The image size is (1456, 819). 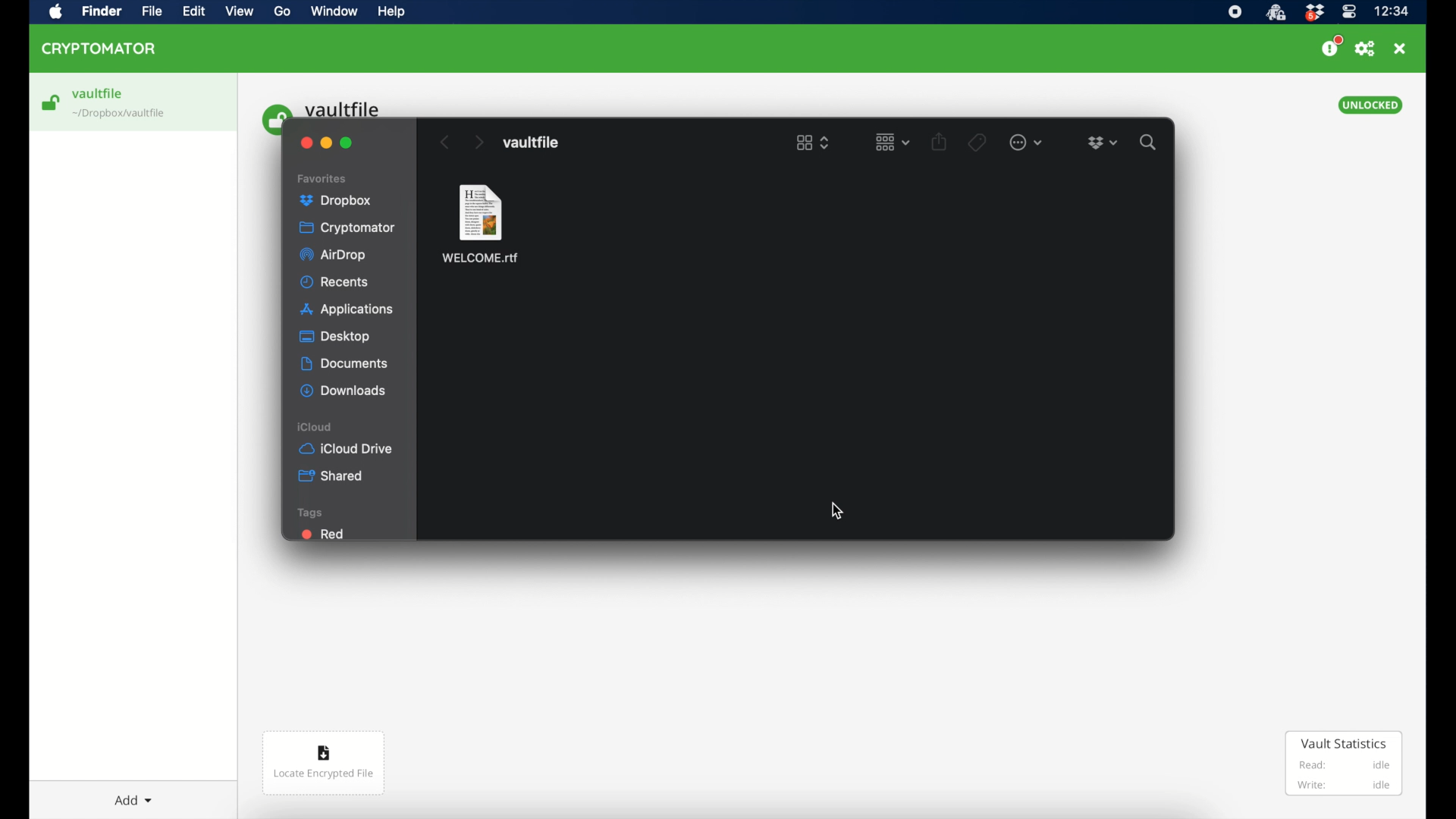 What do you see at coordinates (347, 449) in the screenshot?
I see `iCloud drive` at bounding box center [347, 449].